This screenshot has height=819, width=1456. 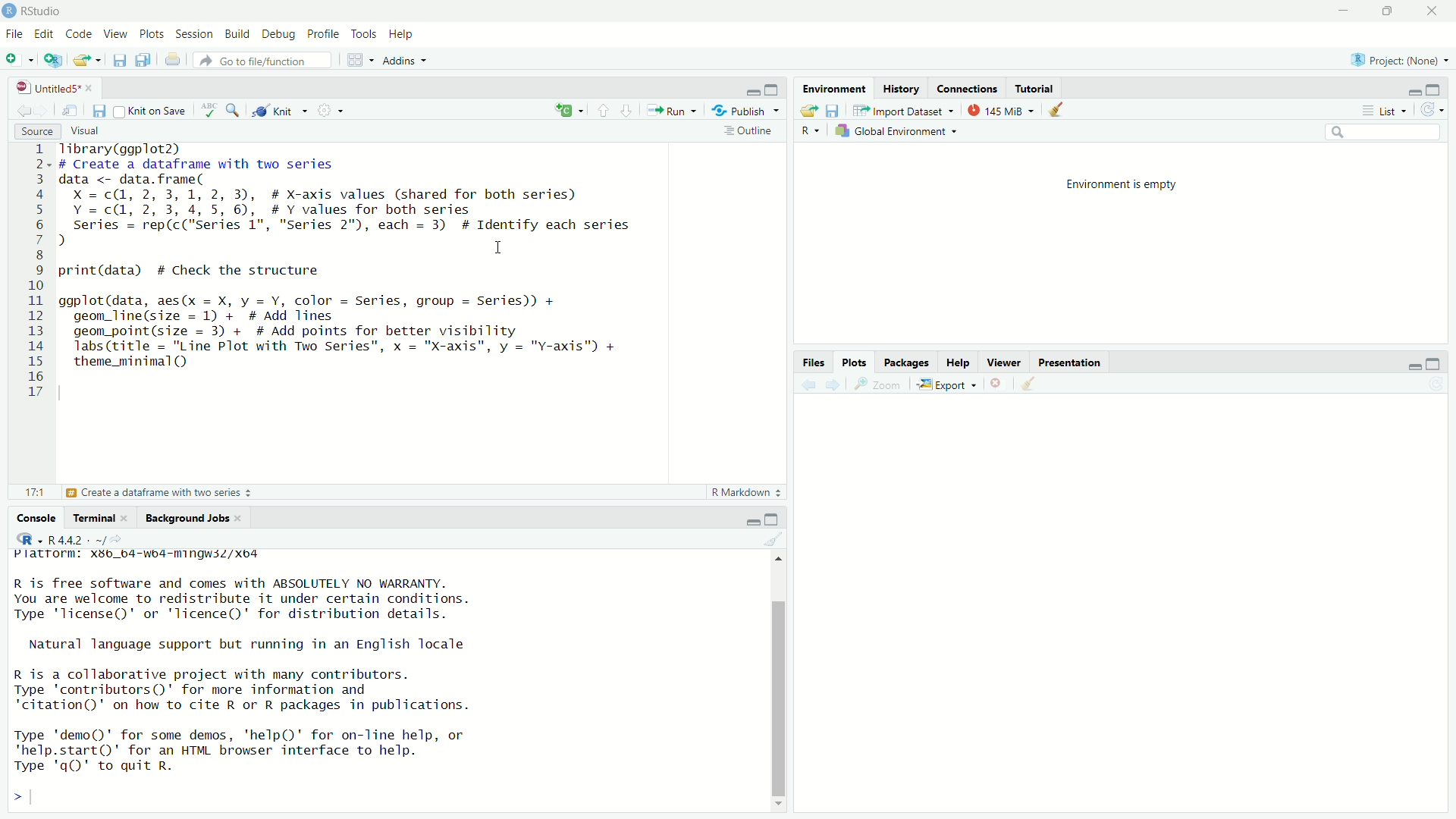 I want to click on Maximize, so click(x=1436, y=90).